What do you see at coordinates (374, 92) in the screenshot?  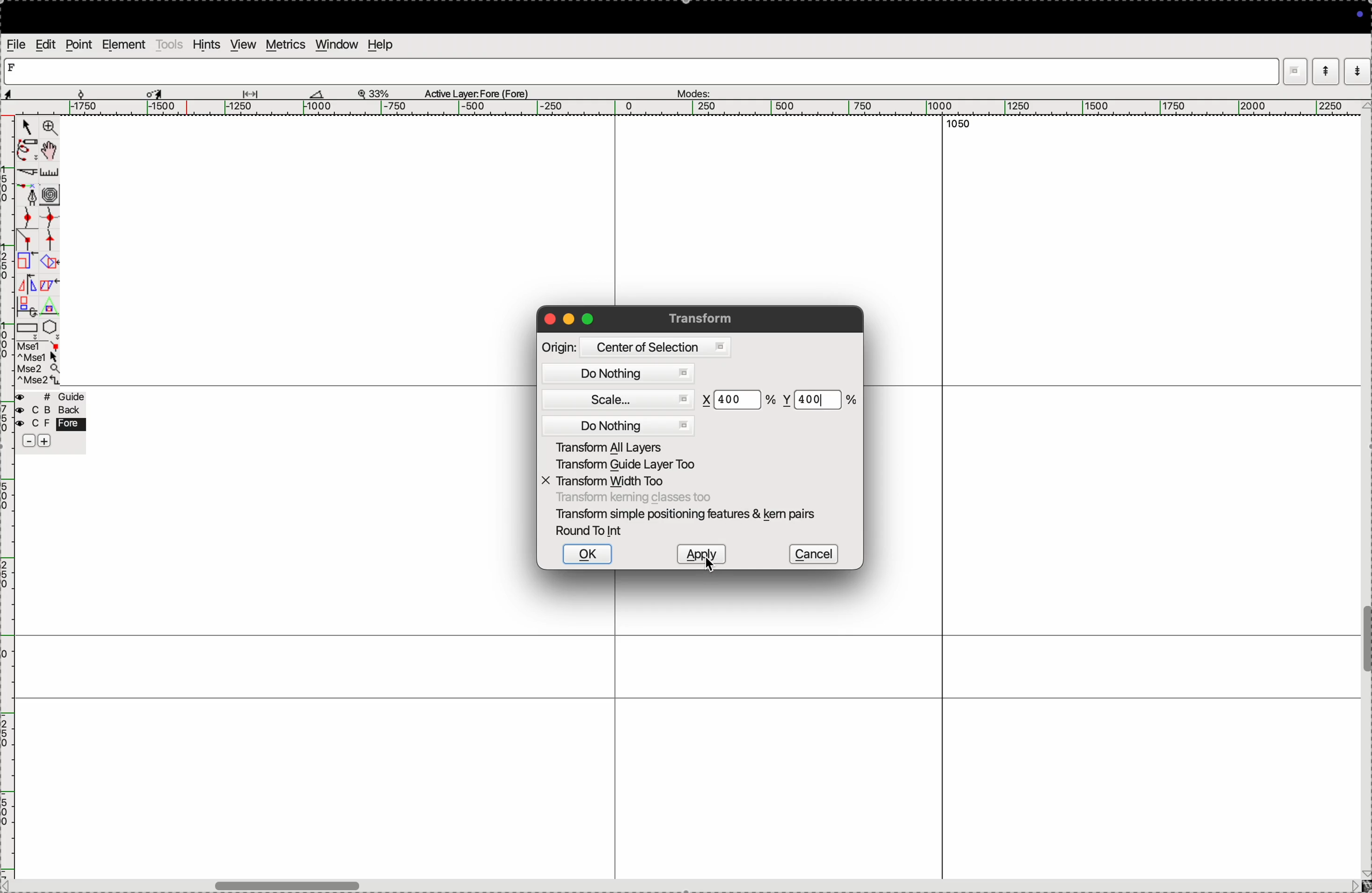 I see `zoom perecent` at bounding box center [374, 92].